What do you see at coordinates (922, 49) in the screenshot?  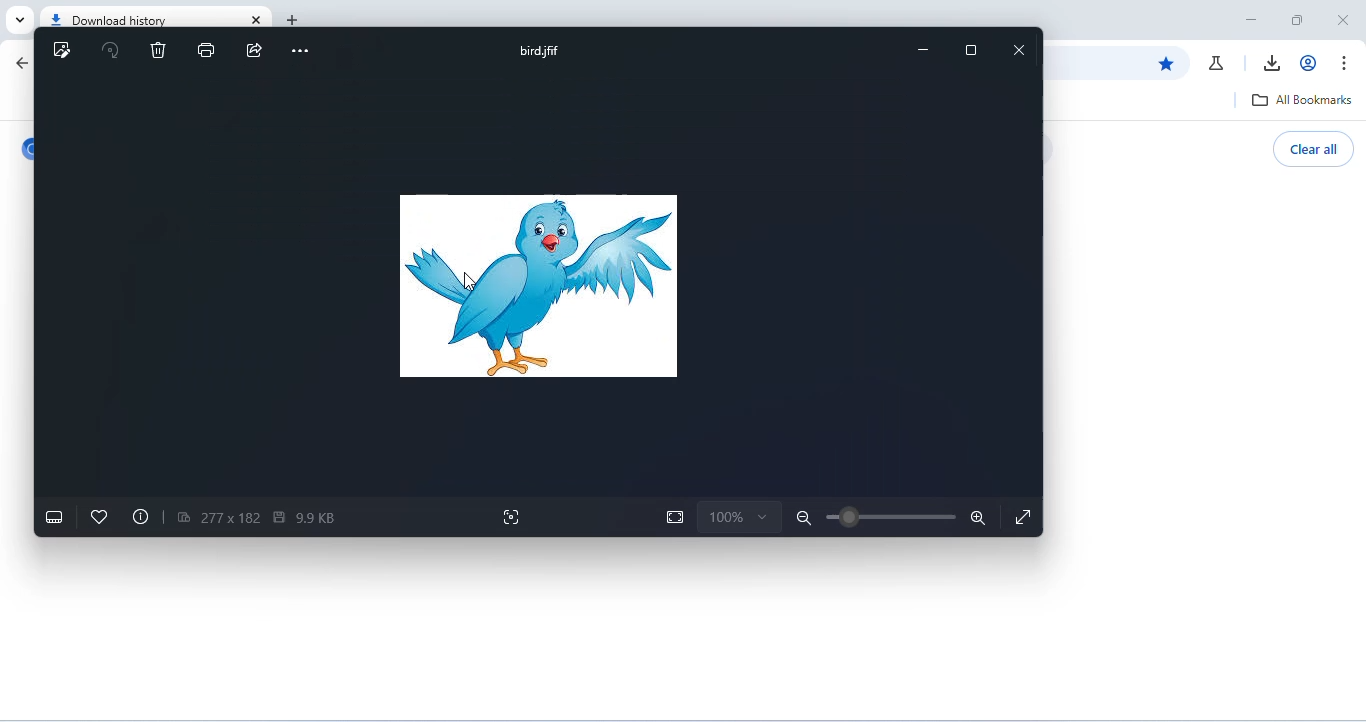 I see `minimize` at bounding box center [922, 49].